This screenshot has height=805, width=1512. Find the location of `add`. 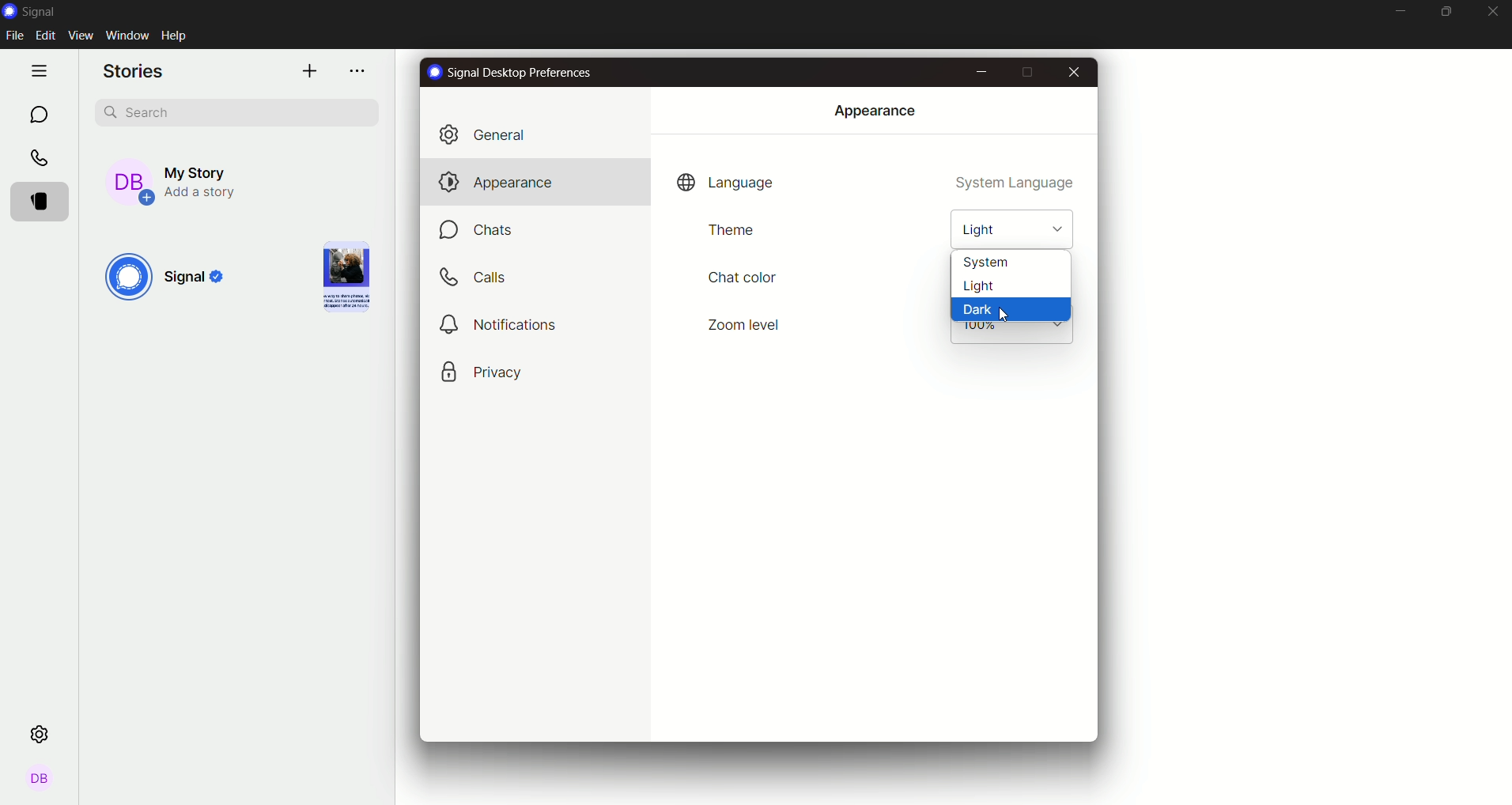

add is located at coordinates (308, 70).